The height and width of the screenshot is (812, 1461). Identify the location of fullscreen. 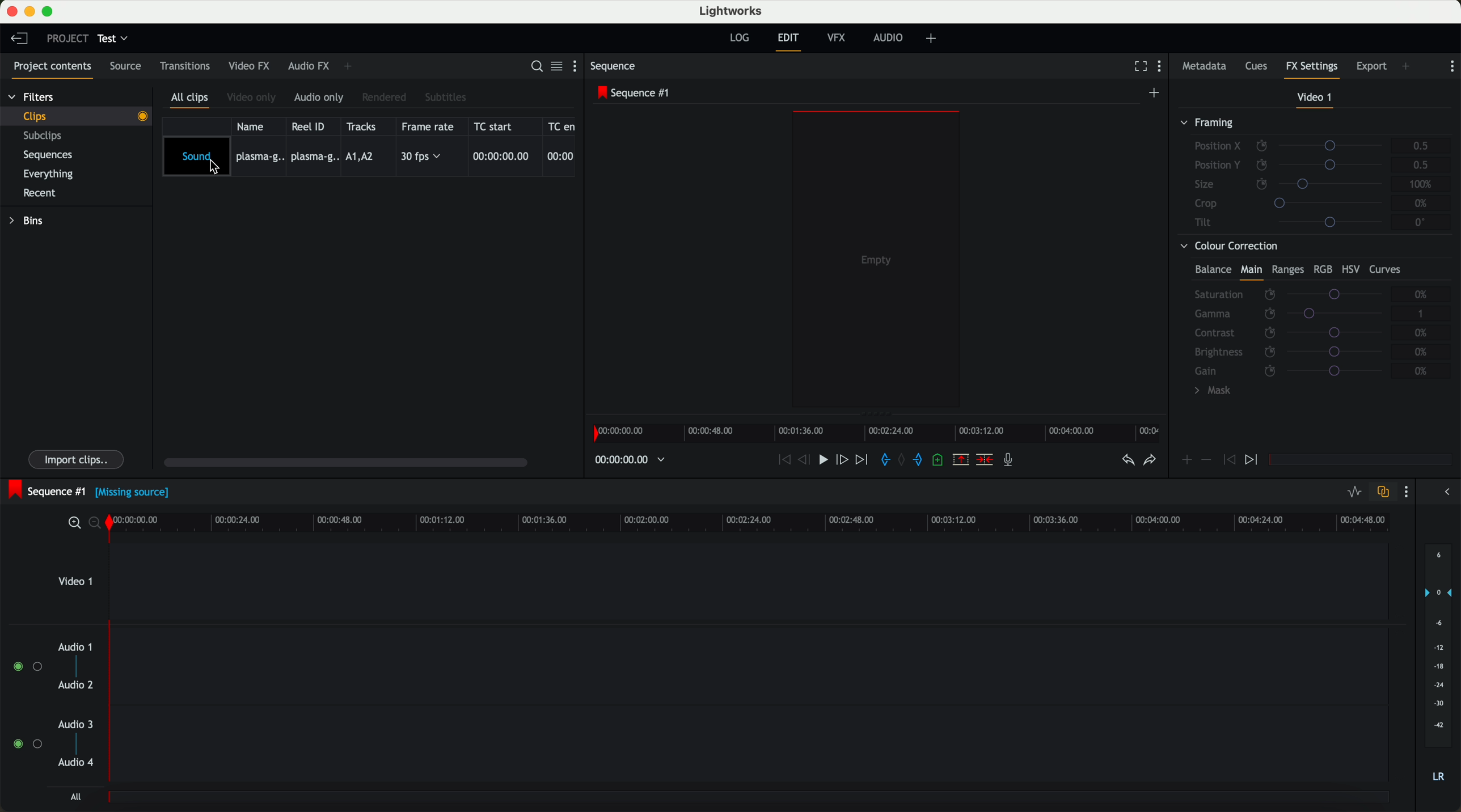
(1138, 67).